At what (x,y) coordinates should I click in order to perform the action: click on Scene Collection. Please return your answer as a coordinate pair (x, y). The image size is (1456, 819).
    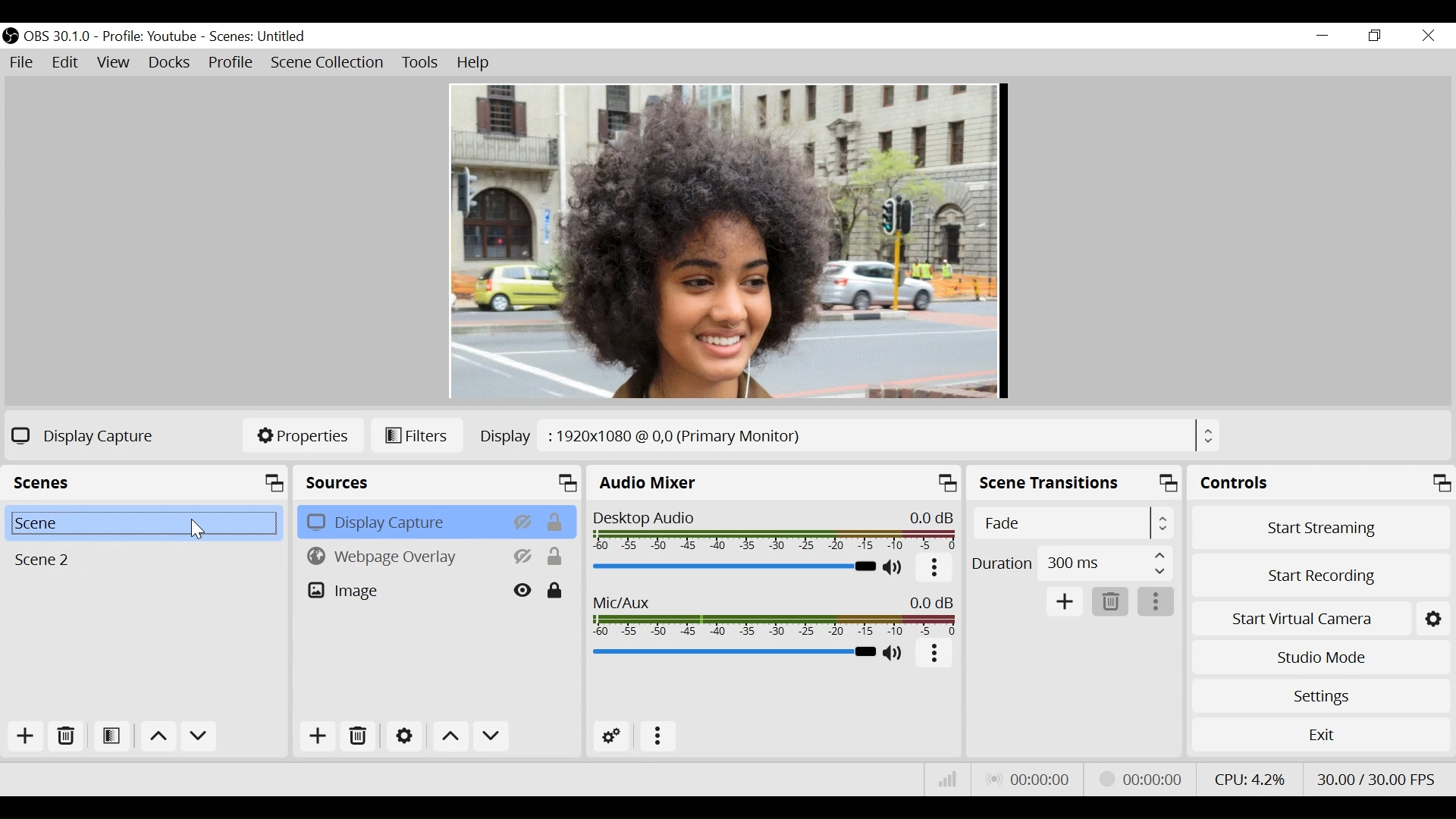
    Looking at the image, I should click on (328, 63).